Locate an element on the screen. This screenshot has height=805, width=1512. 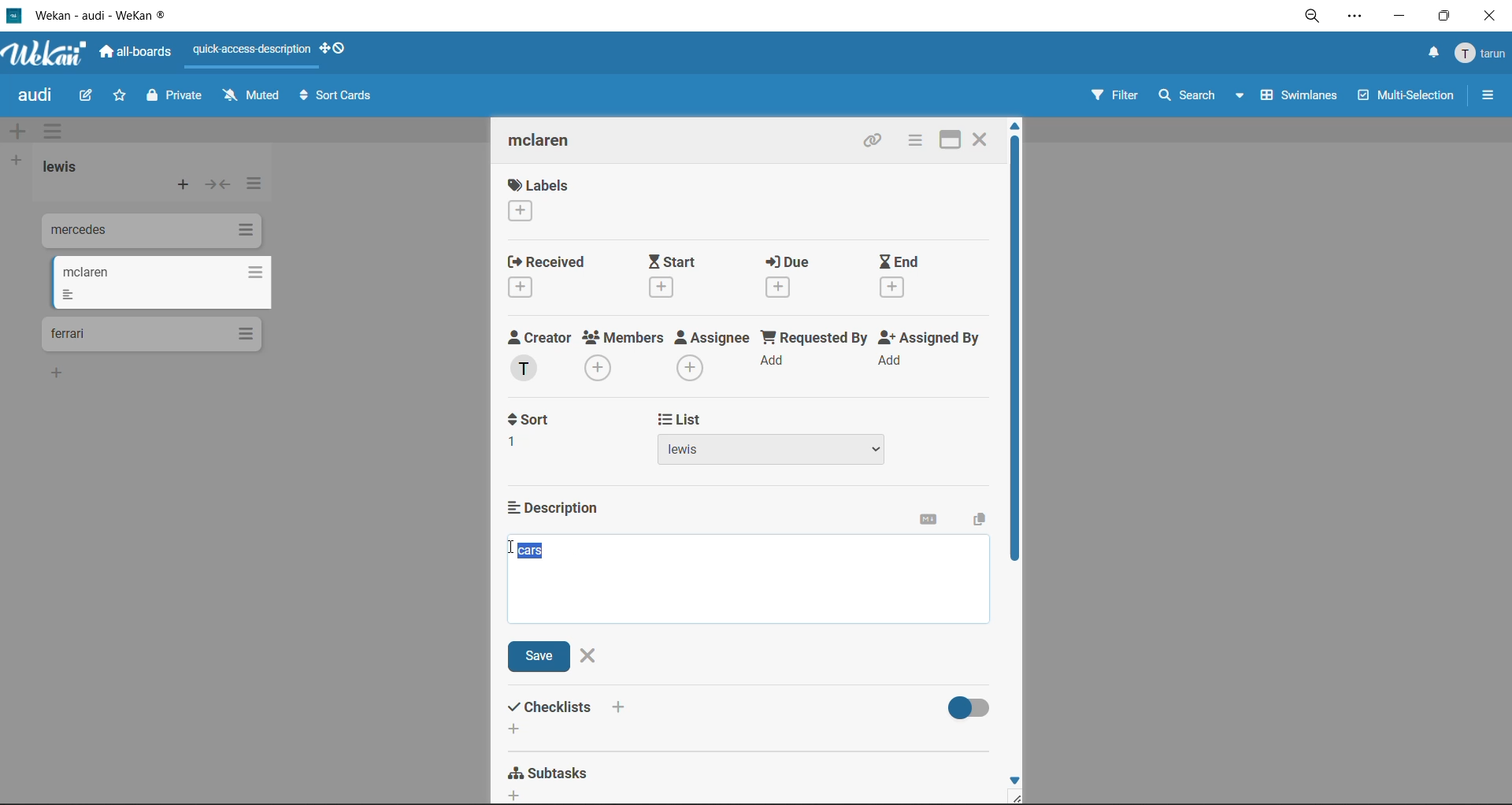
swimlane actions is located at coordinates (57, 132).